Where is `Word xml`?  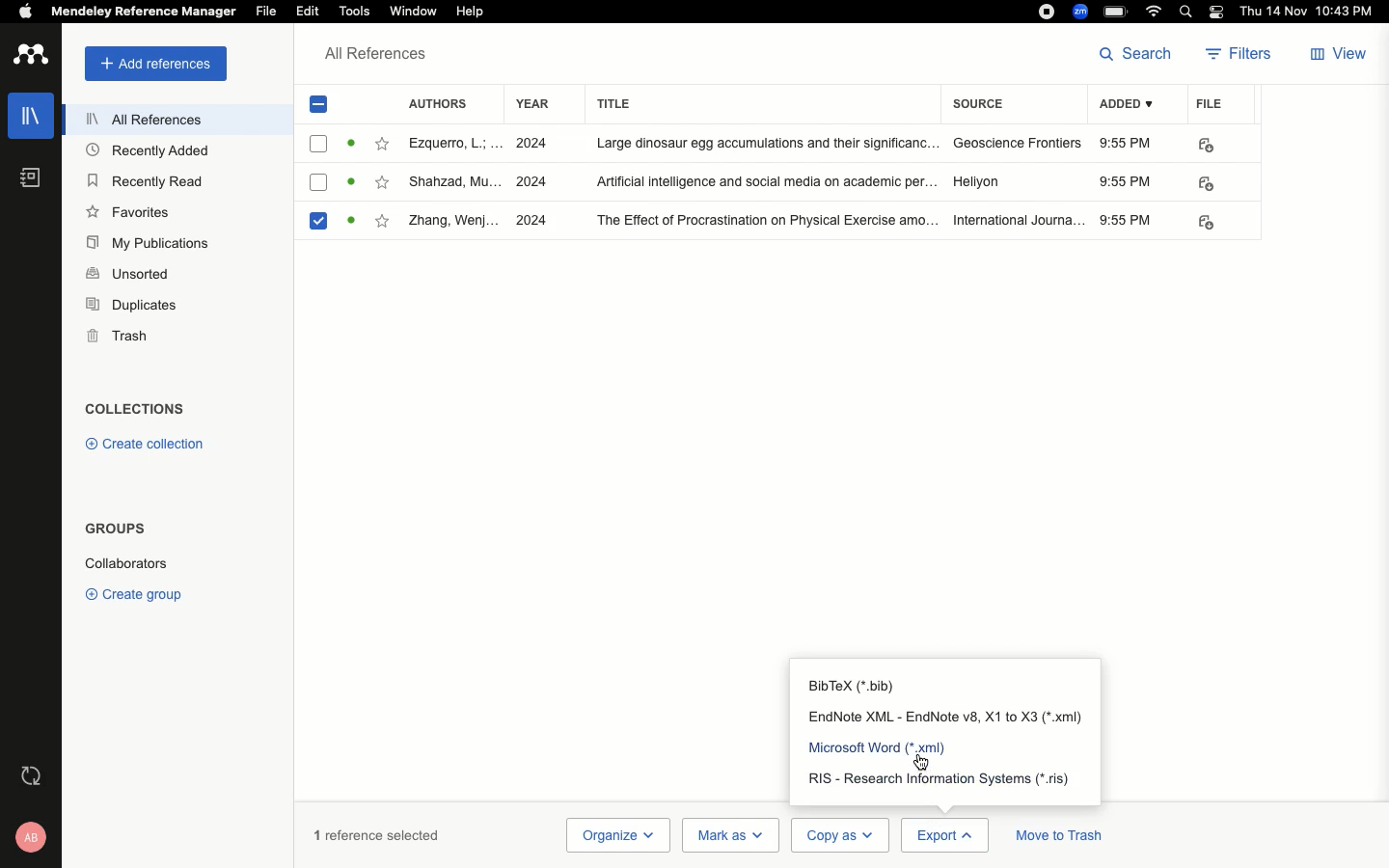 Word xml is located at coordinates (891, 746).